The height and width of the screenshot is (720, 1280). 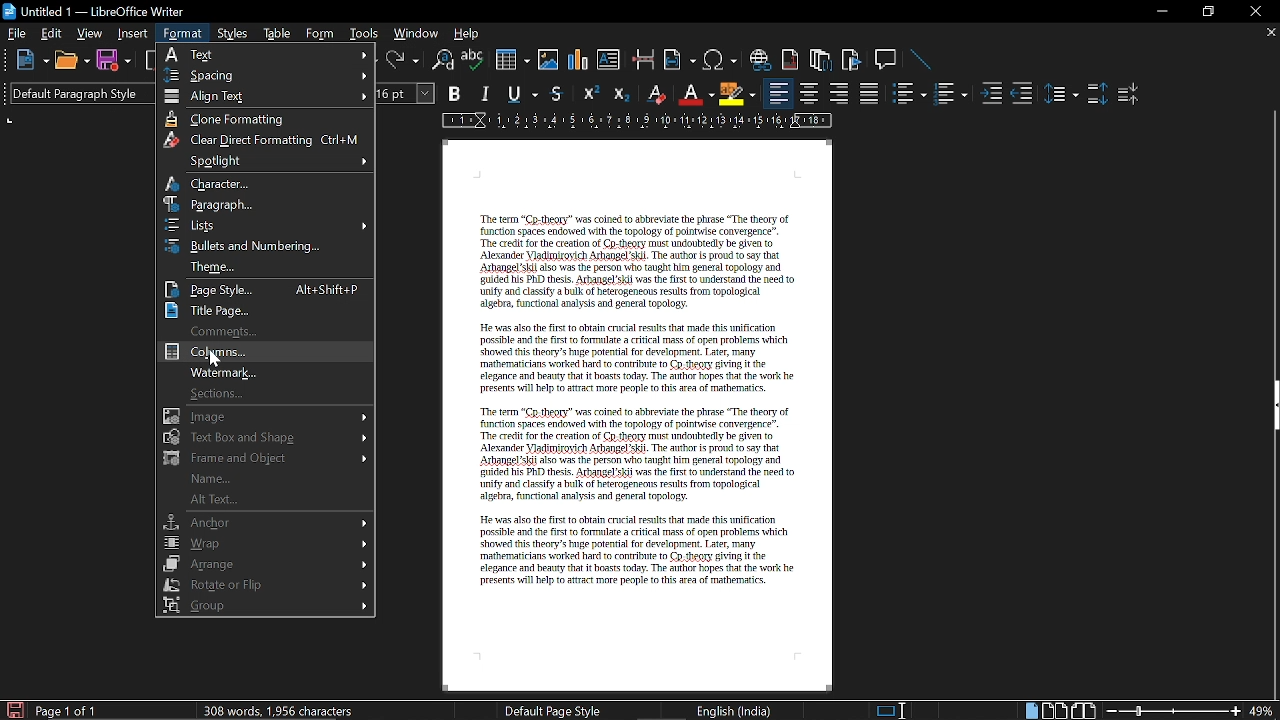 What do you see at coordinates (695, 95) in the screenshot?
I see `Underline` at bounding box center [695, 95].